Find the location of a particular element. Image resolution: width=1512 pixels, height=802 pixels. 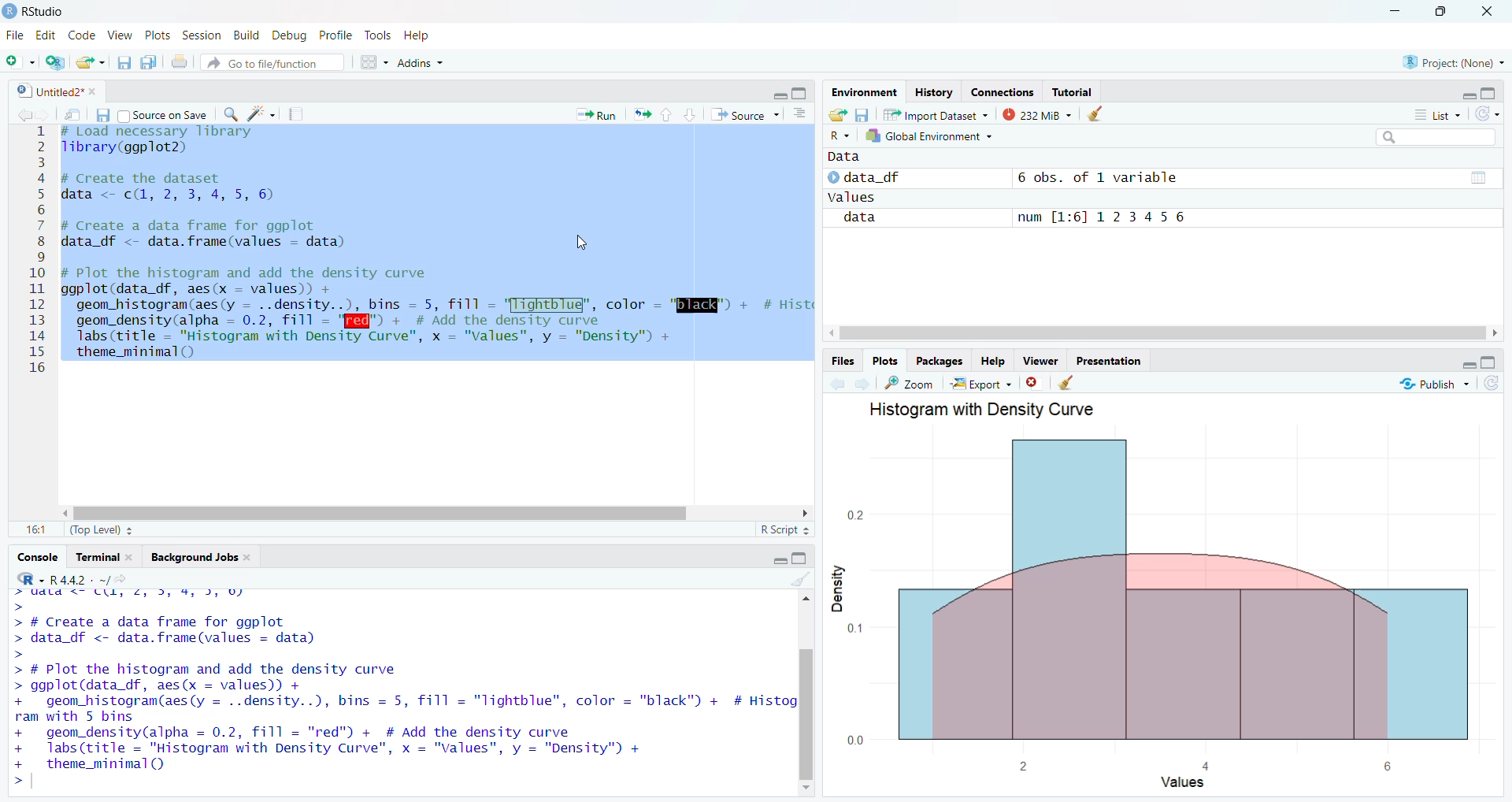

# Plot the histogram and add the density curve
ggplot(data_df, aes(x = values)) +
geom_histogram(aes(y = ..density..), bins = 5, fill = '[ightbIug", color - "QUEER" + # Hist
geom_density(alpha = 0.2, fill = '[@@") + # Add the density curve
Tabs (title = "Histogram with Density Curve", x = "Values", y = "Density") +
theme_minimal() is located at coordinates (439, 312).